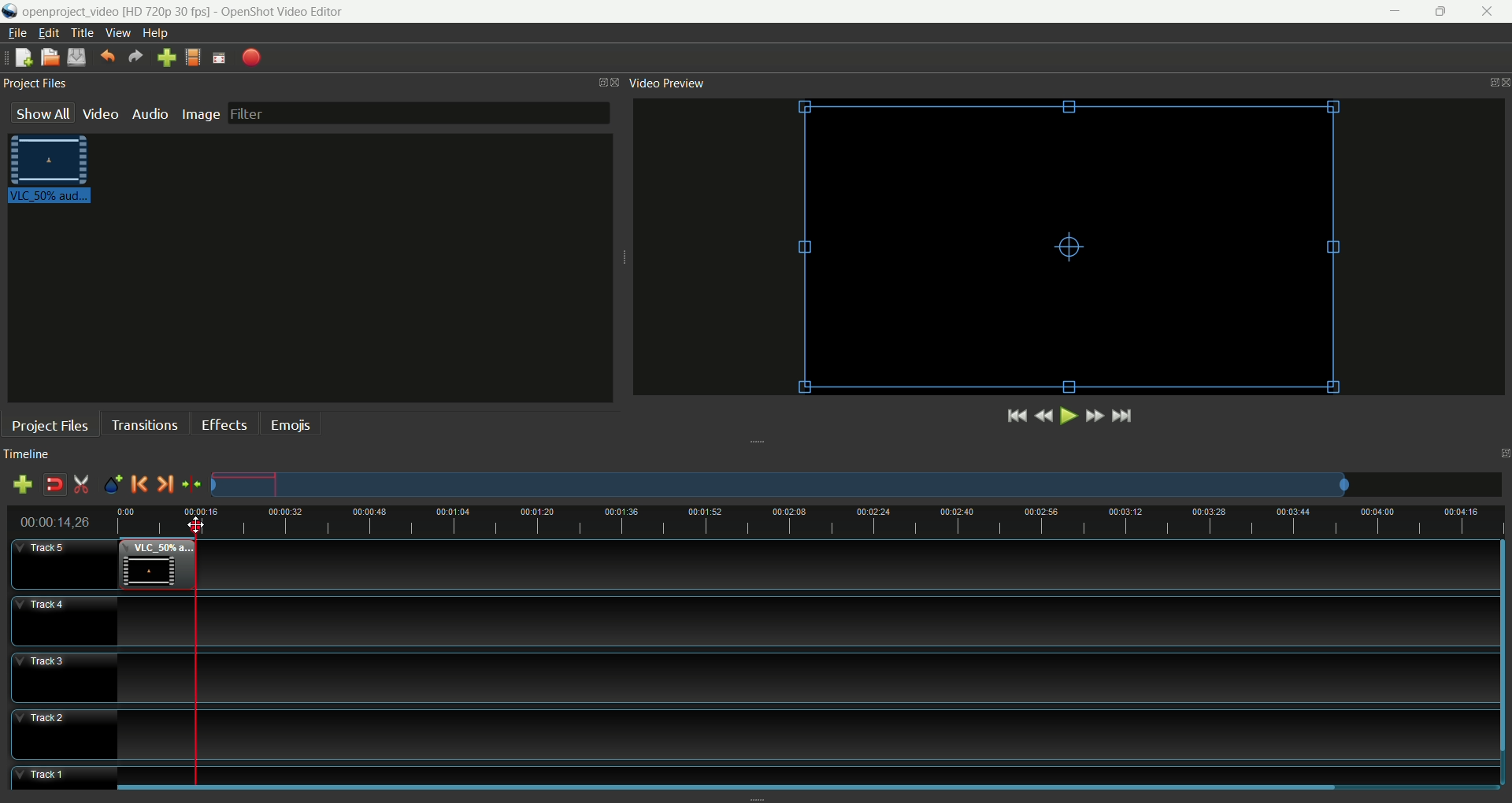 The height and width of the screenshot is (803, 1512). I want to click on redo, so click(135, 56).